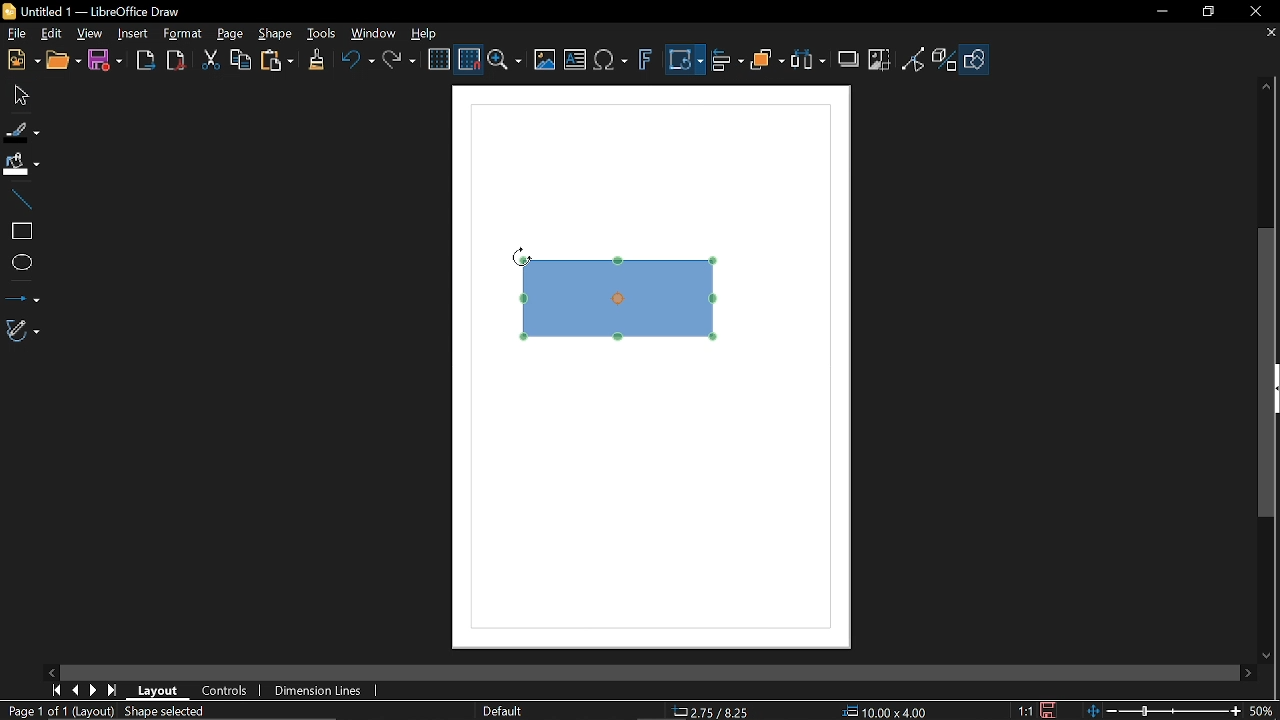 The image size is (1280, 720). Describe the element at coordinates (808, 61) in the screenshot. I see `Selelct t least three objects to distribute` at that location.